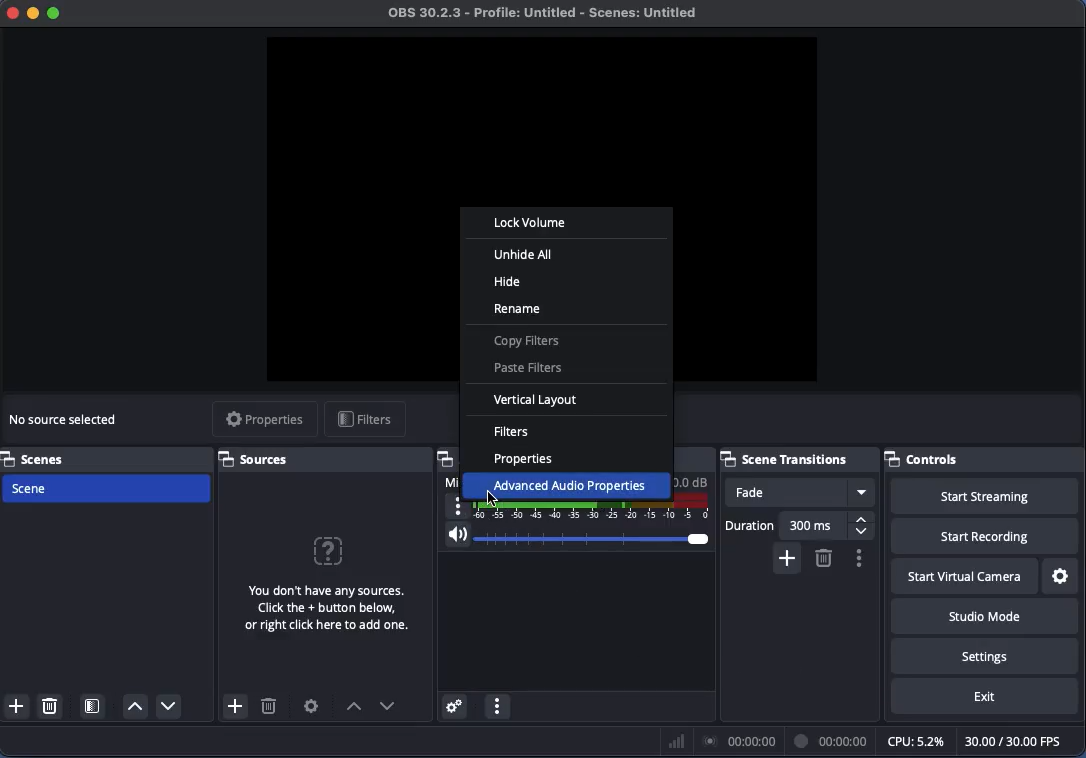  Describe the element at coordinates (985, 697) in the screenshot. I see `Exit` at that location.